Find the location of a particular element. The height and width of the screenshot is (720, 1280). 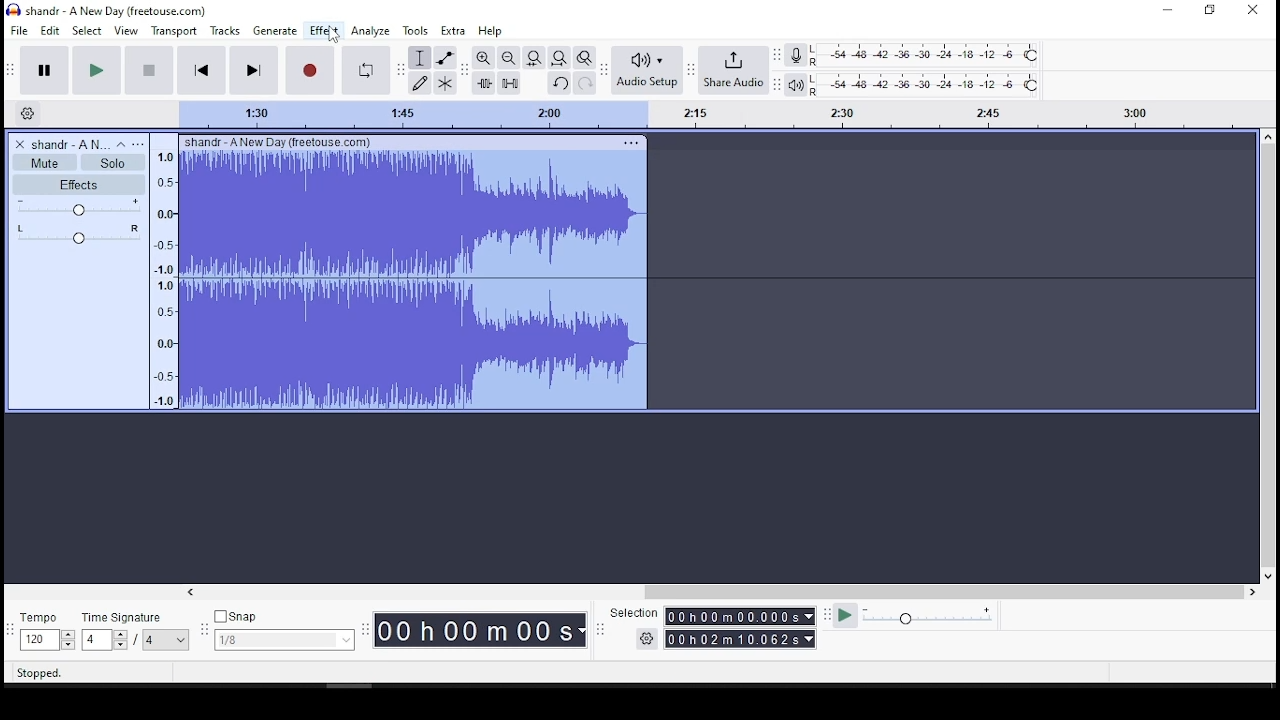

effect is located at coordinates (324, 30).